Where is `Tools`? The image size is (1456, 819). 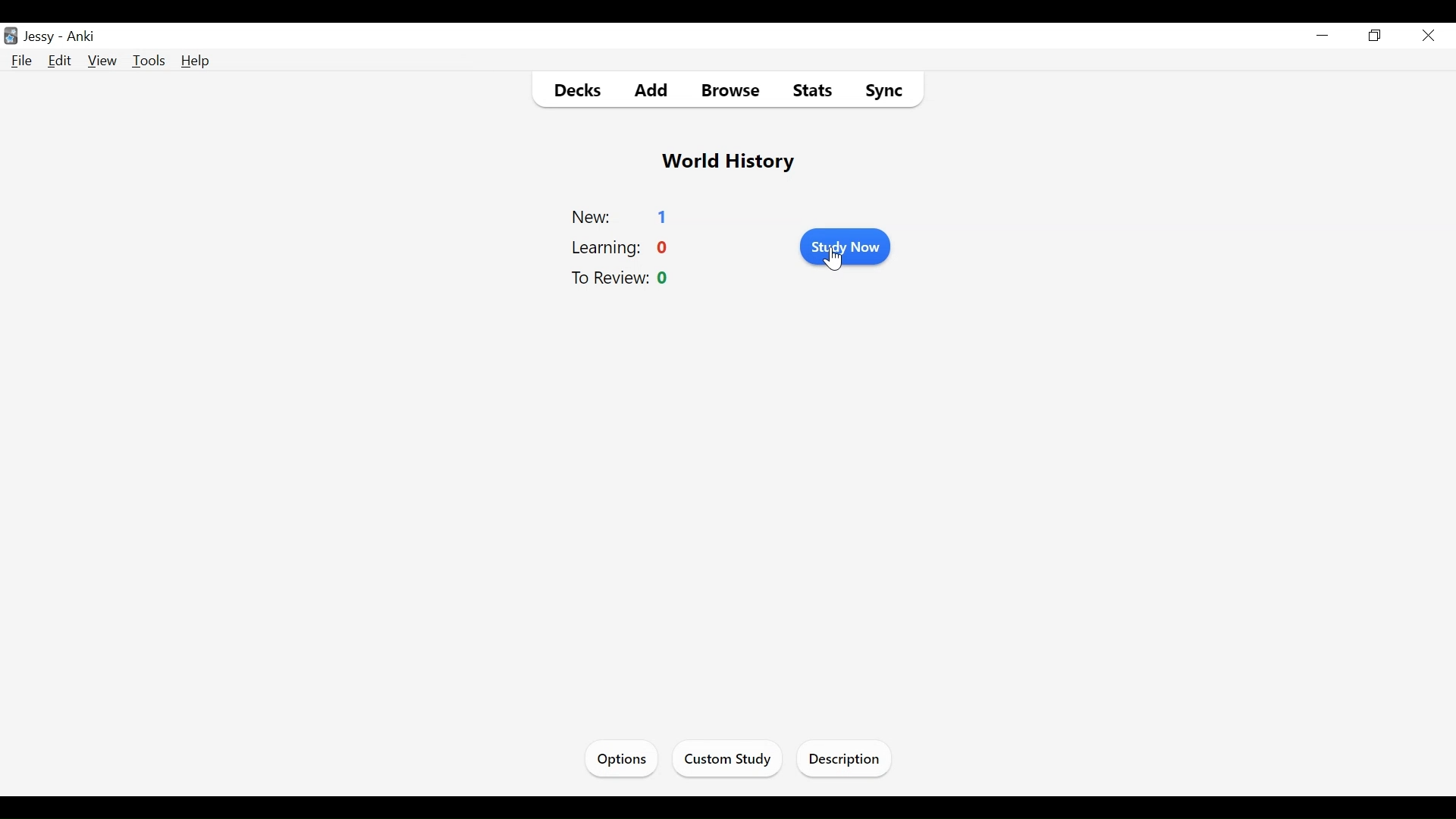
Tools is located at coordinates (149, 61).